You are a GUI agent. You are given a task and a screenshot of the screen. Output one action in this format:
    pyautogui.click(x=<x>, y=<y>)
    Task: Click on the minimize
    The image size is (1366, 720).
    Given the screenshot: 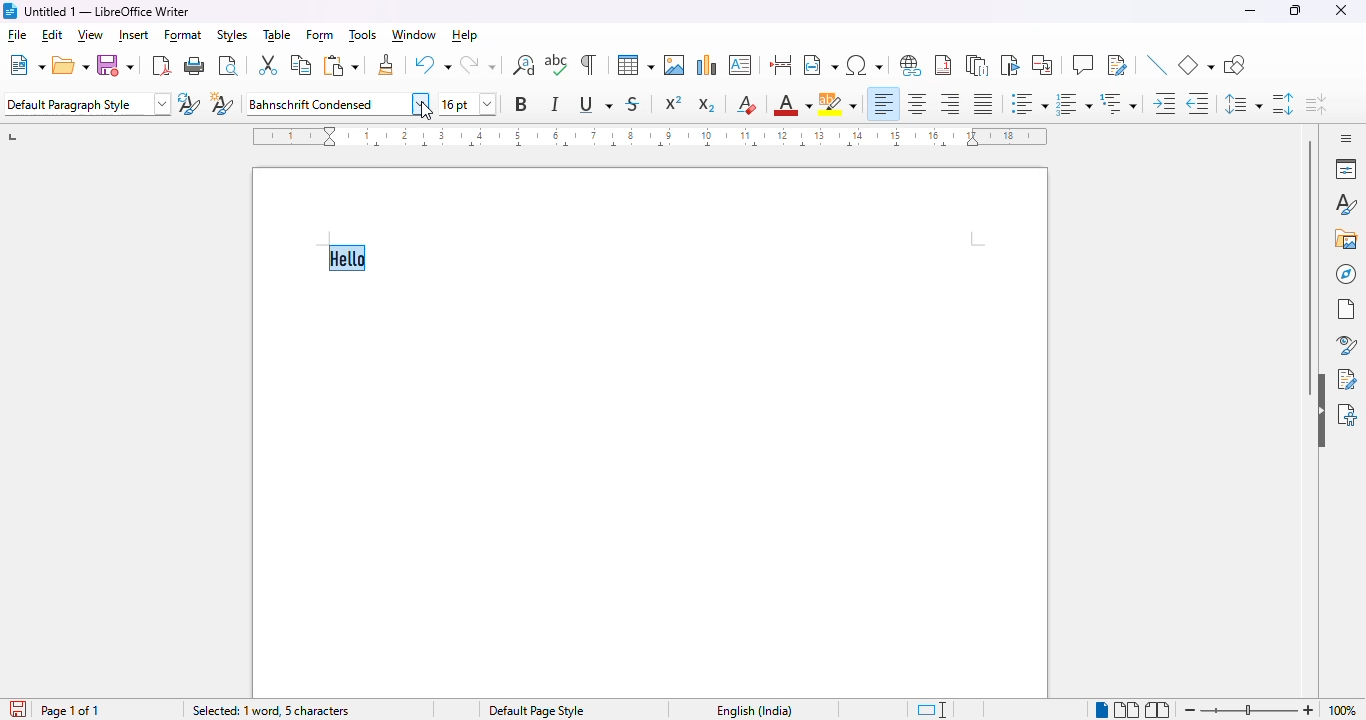 What is the action you would take?
    pyautogui.click(x=1251, y=11)
    